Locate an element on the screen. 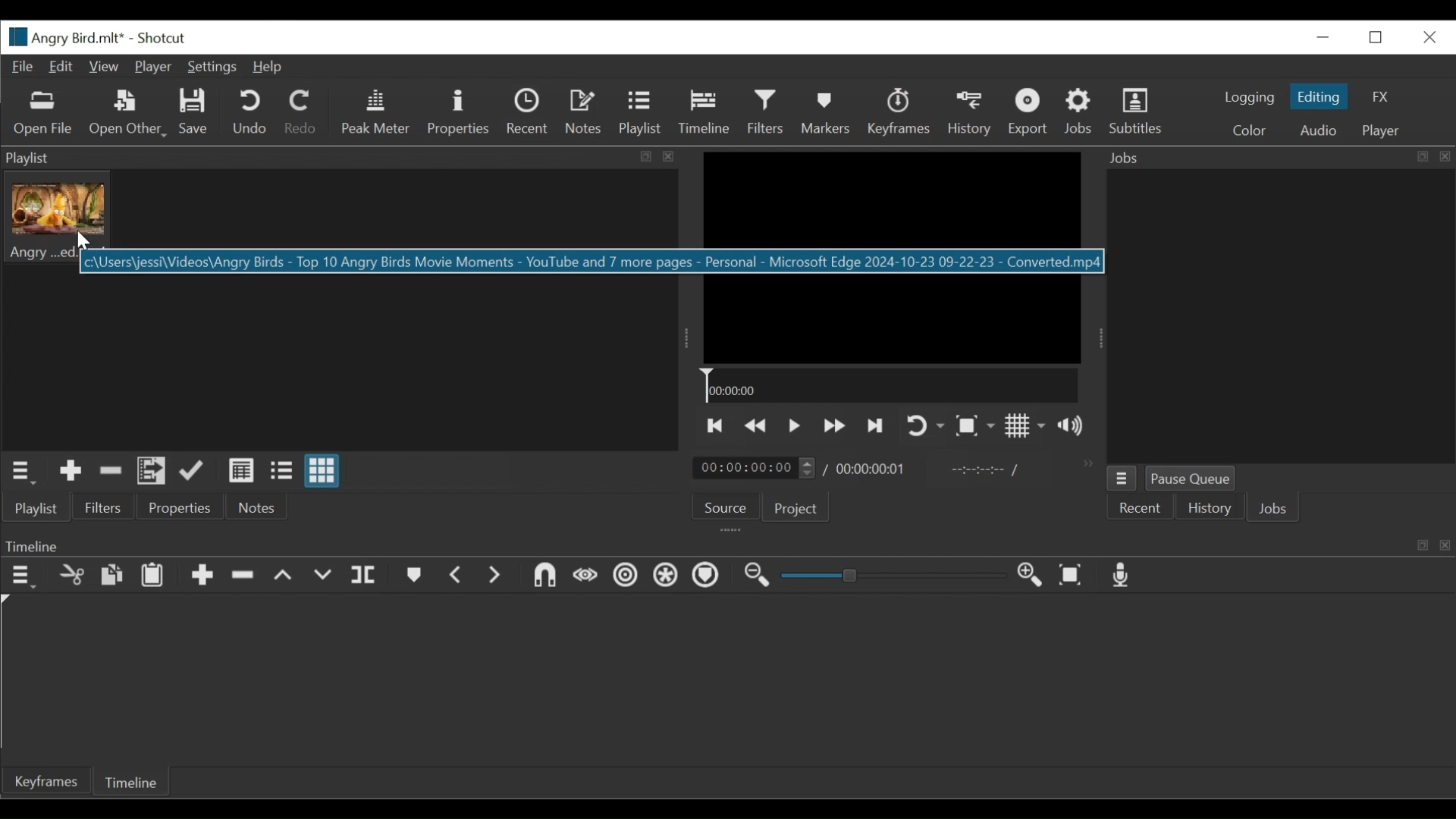 The image size is (1456, 819). Close is located at coordinates (1326, 36).